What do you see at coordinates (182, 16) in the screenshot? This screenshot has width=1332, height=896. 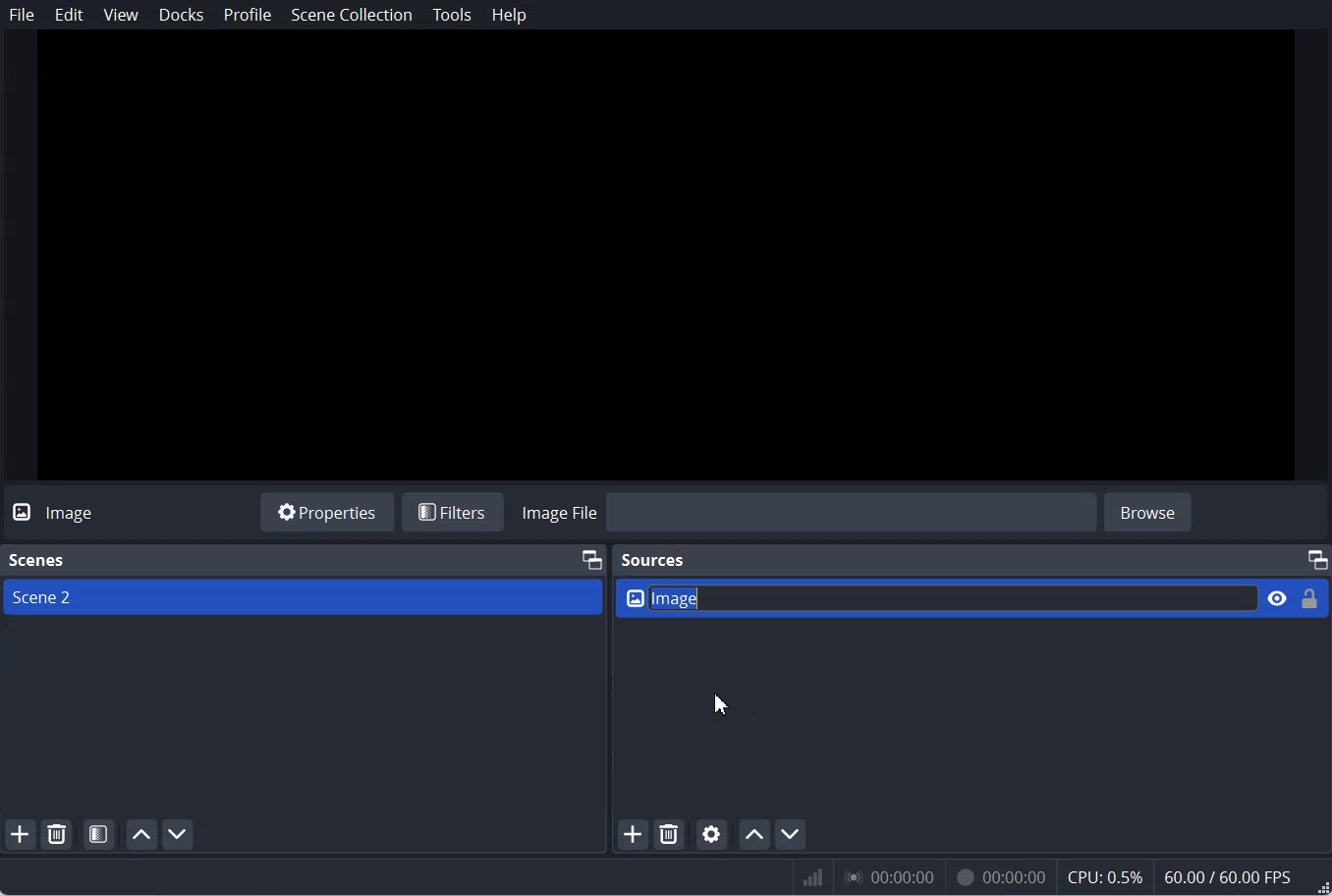 I see `Docks` at bounding box center [182, 16].